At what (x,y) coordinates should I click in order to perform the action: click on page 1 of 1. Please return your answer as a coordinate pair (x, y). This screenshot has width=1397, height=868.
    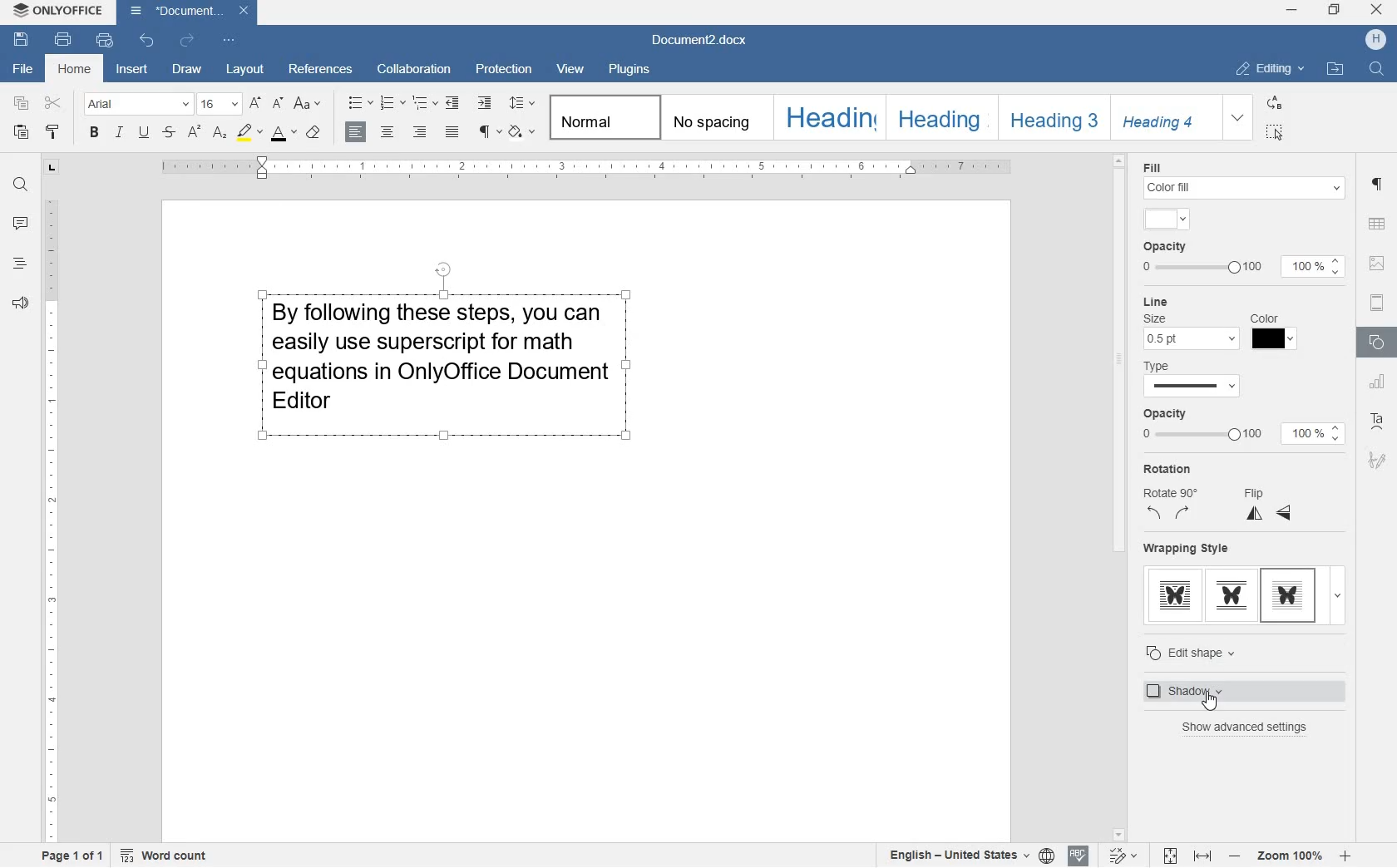
    Looking at the image, I should click on (77, 857).